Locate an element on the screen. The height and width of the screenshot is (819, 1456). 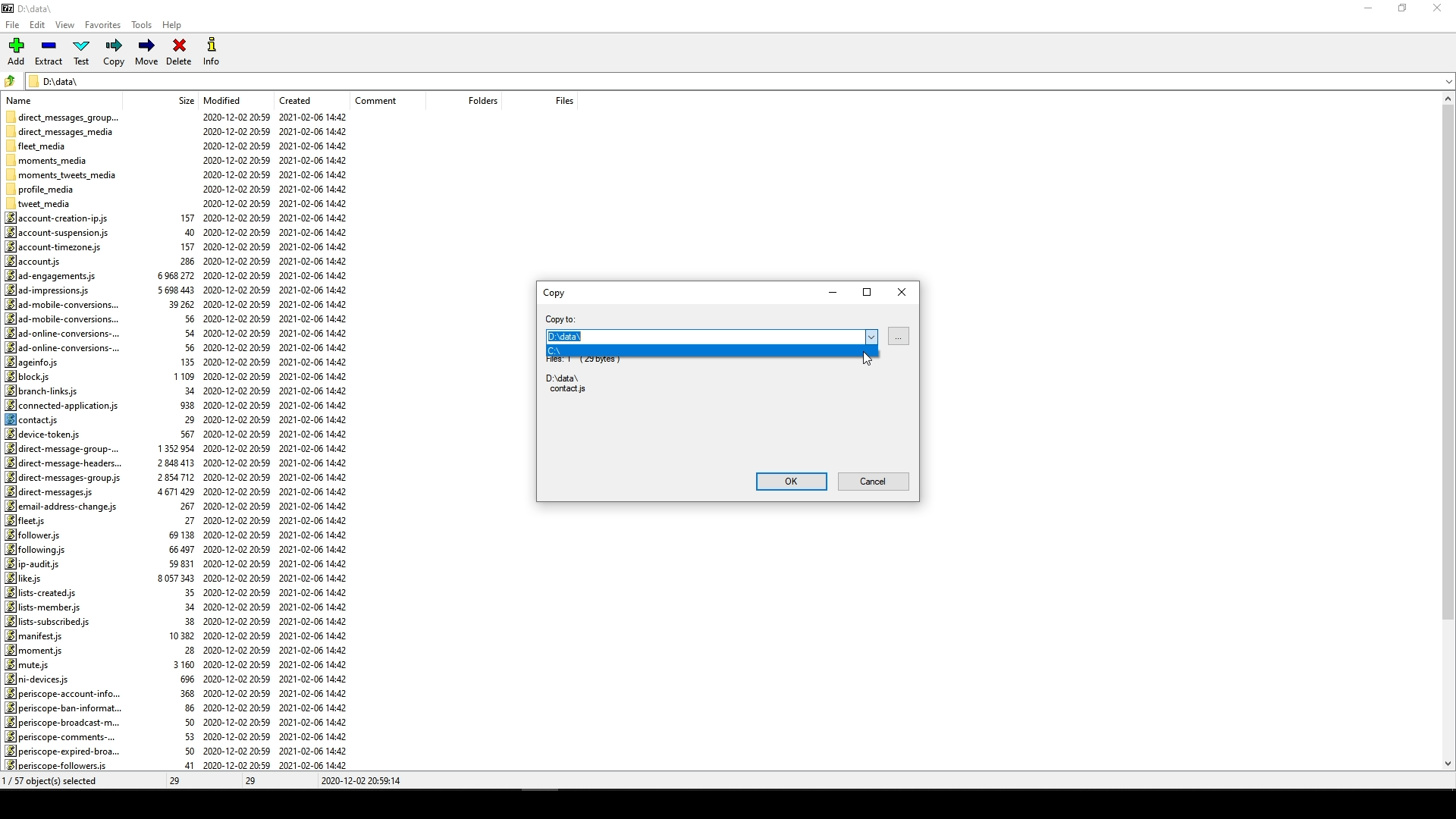
profile_media is located at coordinates (42, 190).